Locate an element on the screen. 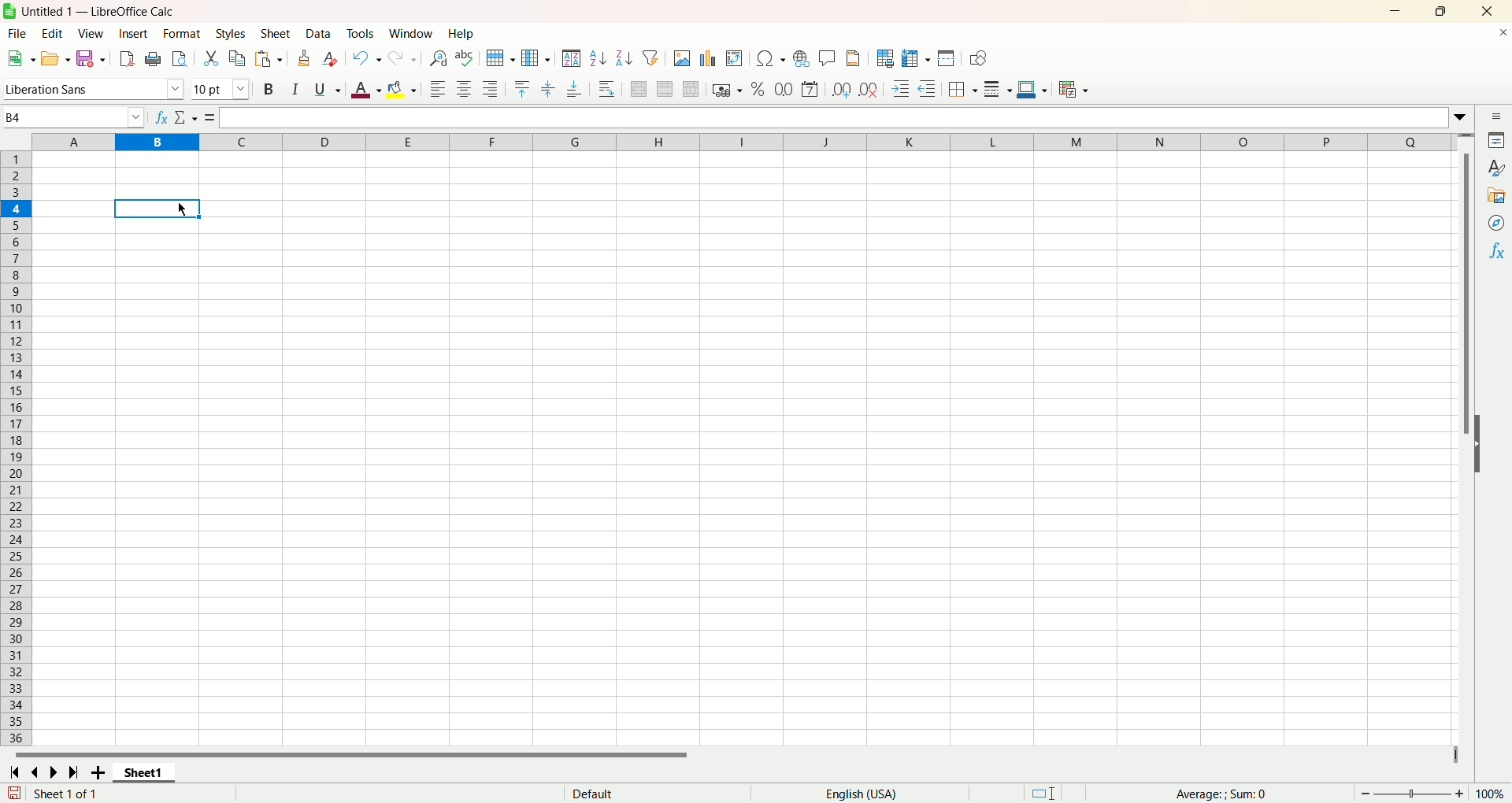  Minimize is located at coordinates (1397, 12).